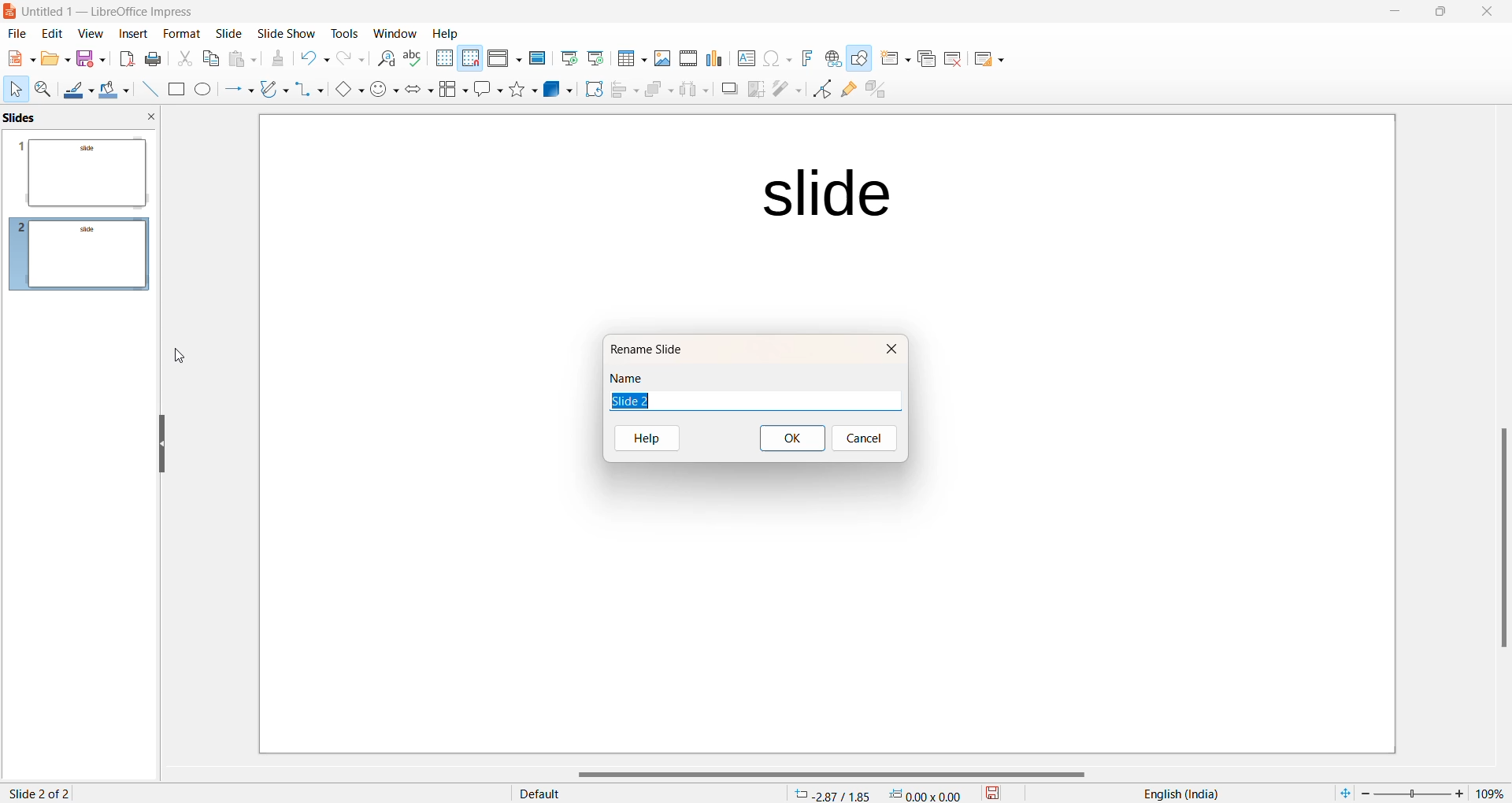 This screenshot has width=1512, height=803. What do you see at coordinates (342, 31) in the screenshot?
I see `Tools` at bounding box center [342, 31].